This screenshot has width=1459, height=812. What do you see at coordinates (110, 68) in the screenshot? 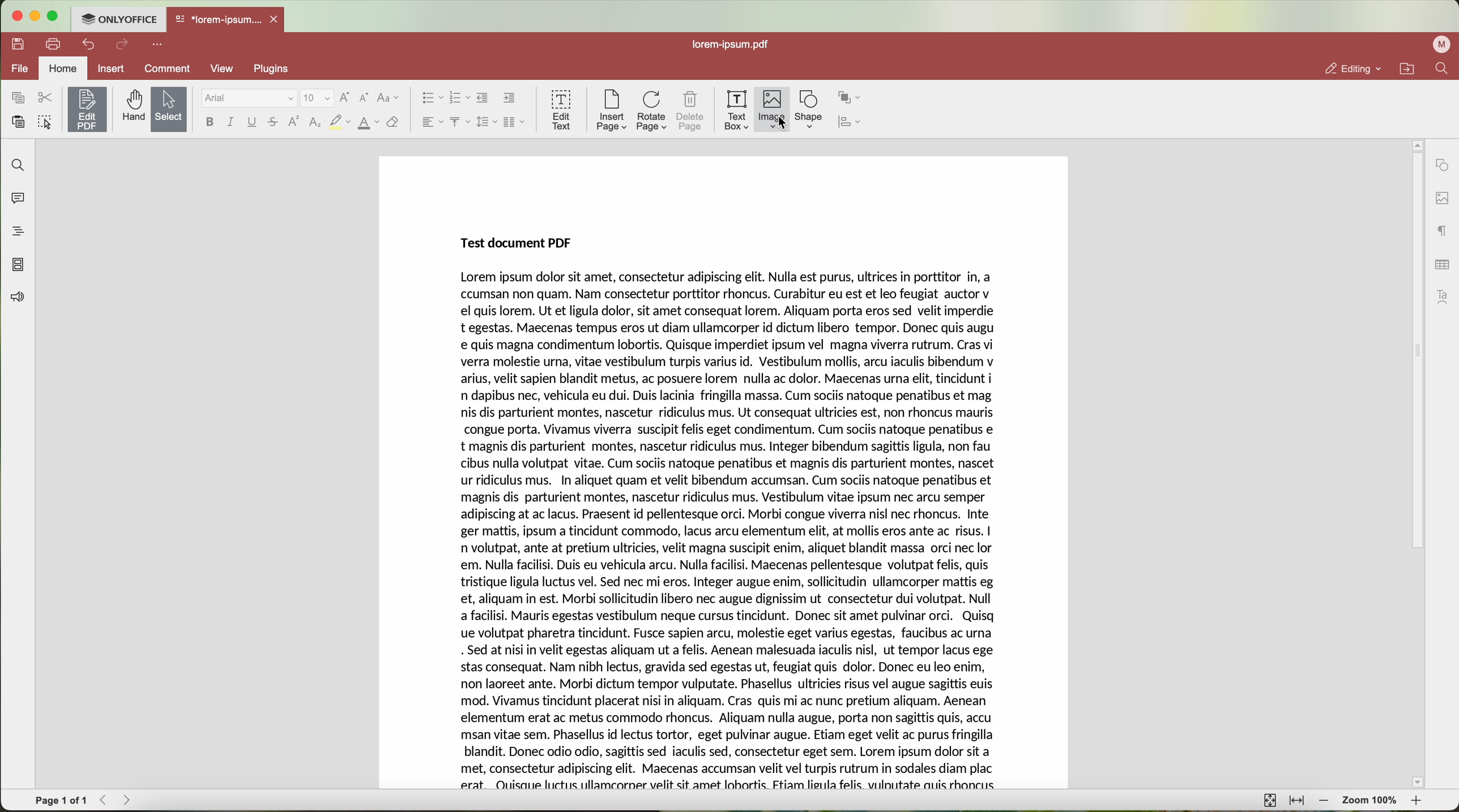
I see `insert` at bounding box center [110, 68].